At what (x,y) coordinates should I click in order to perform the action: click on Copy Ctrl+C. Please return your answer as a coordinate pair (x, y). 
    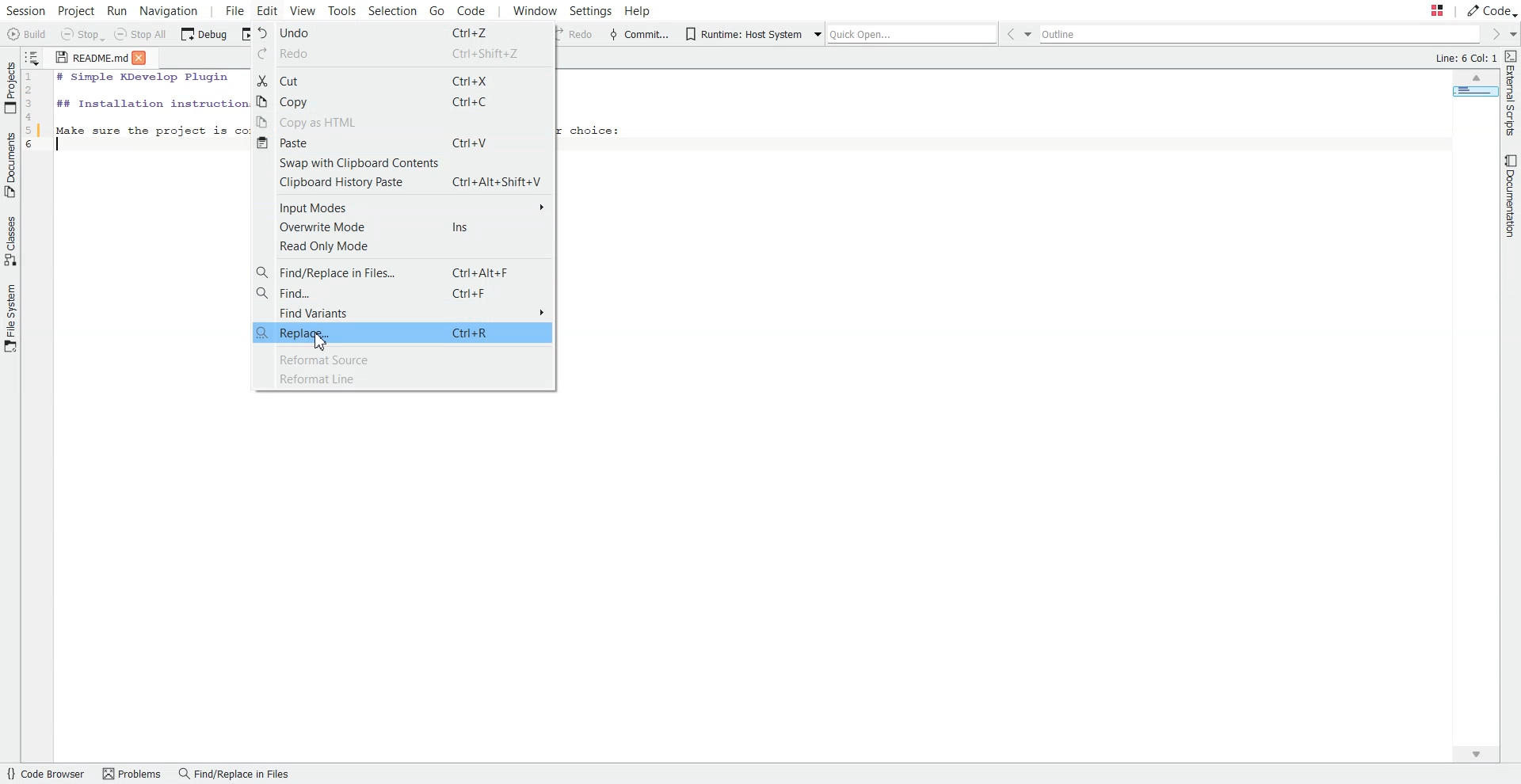
    Looking at the image, I should click on (402, 101).